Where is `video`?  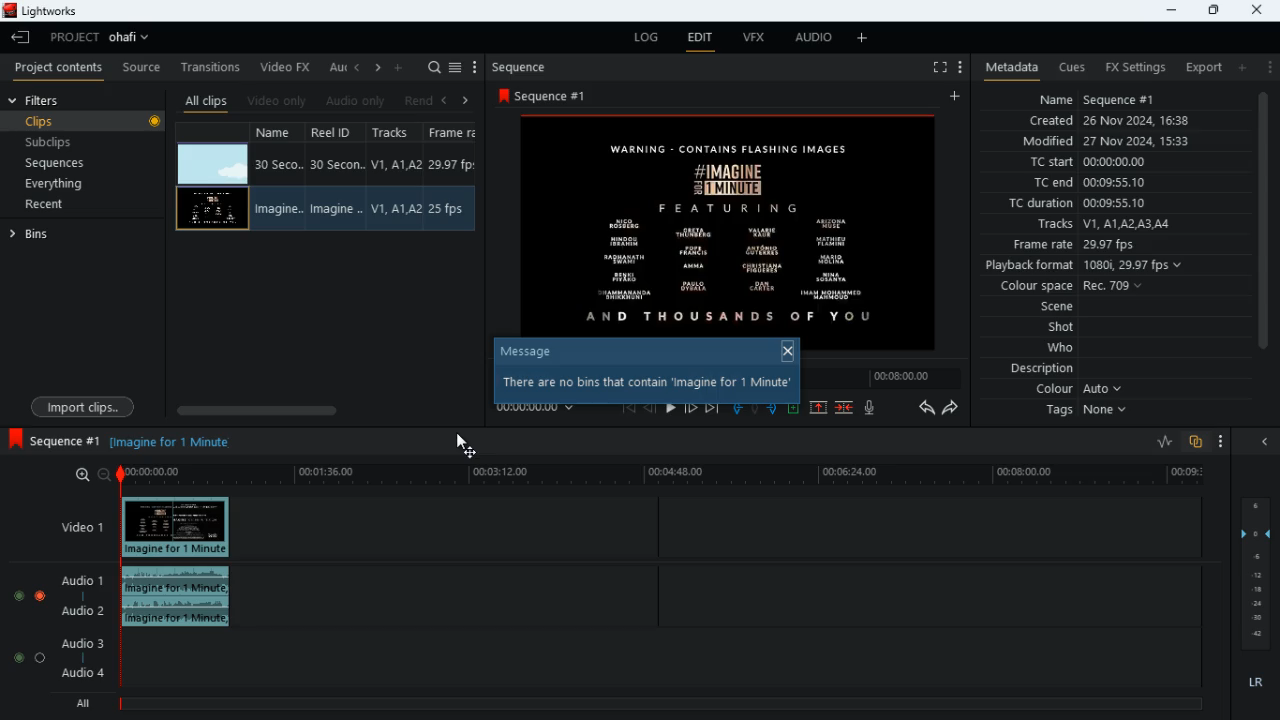
video is located at coordinates (213, 162).